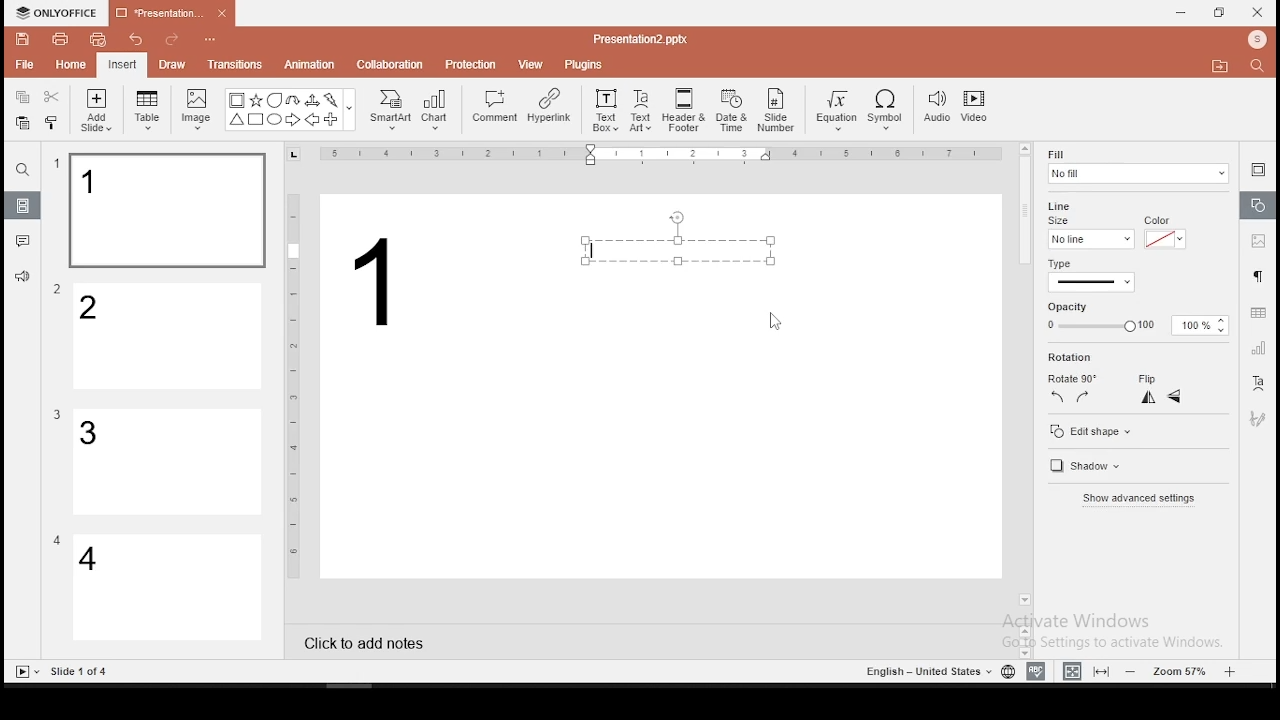  What do you see at coordinates (1253, 418) in the screenshot?
I see `` at bounding box center [1253, 418].